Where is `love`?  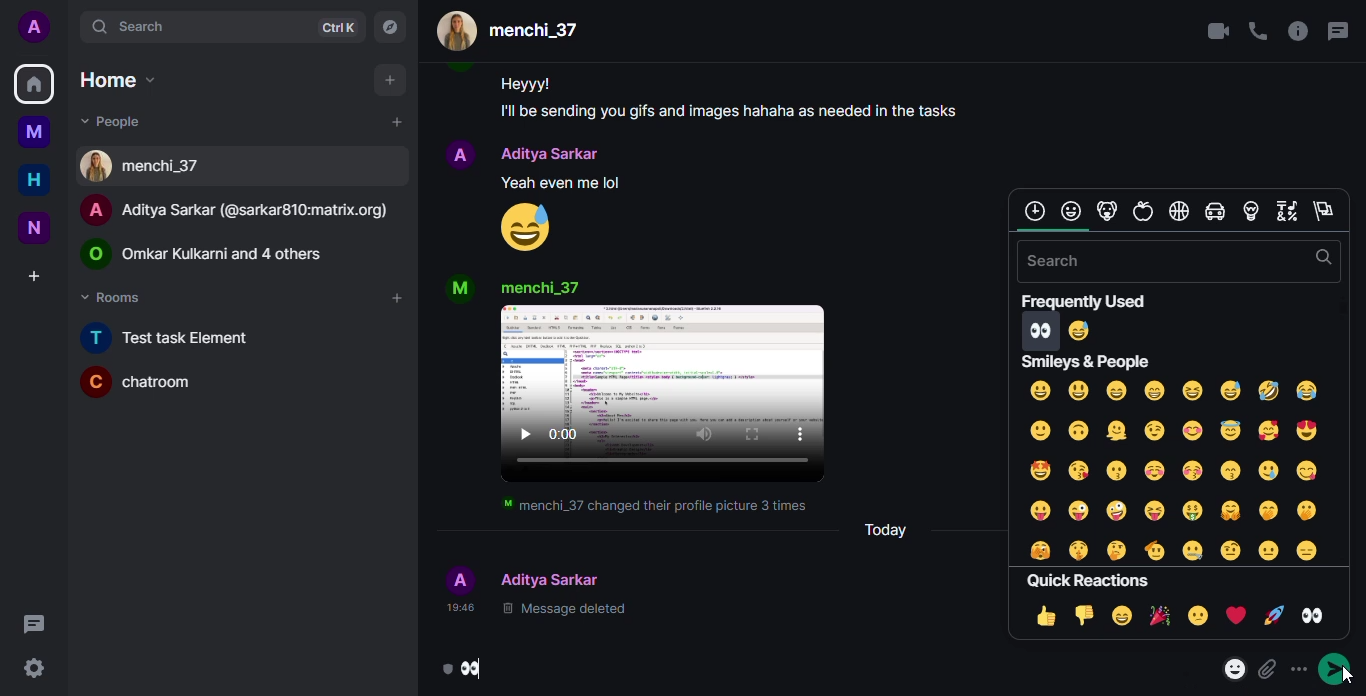 love is located at coordinates (1234, 617).